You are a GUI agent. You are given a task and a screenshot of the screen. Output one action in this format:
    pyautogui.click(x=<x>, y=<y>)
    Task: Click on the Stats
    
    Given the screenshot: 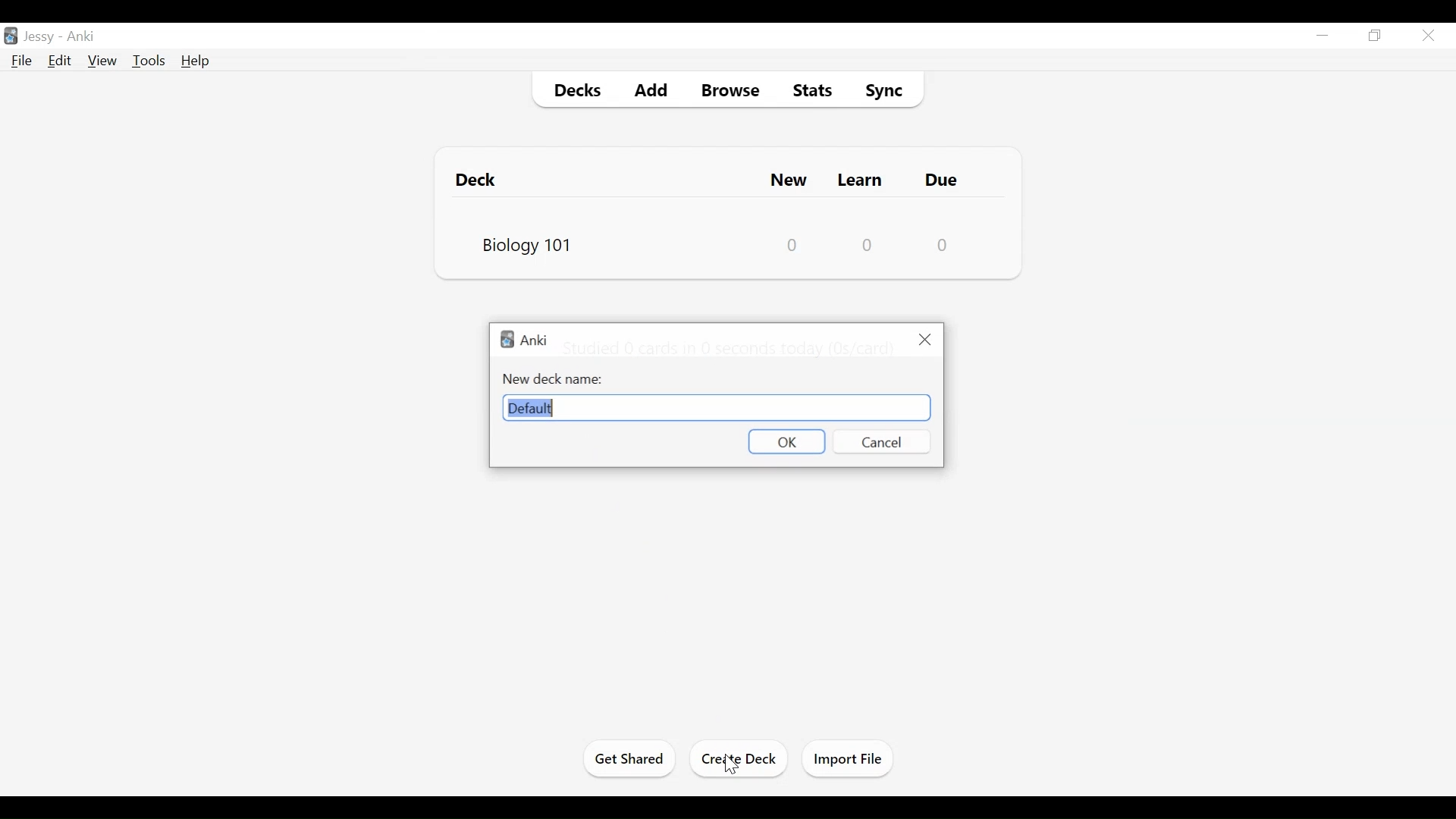 What is the action you would take?
    pyautogui.click(x=808, y=87)
    